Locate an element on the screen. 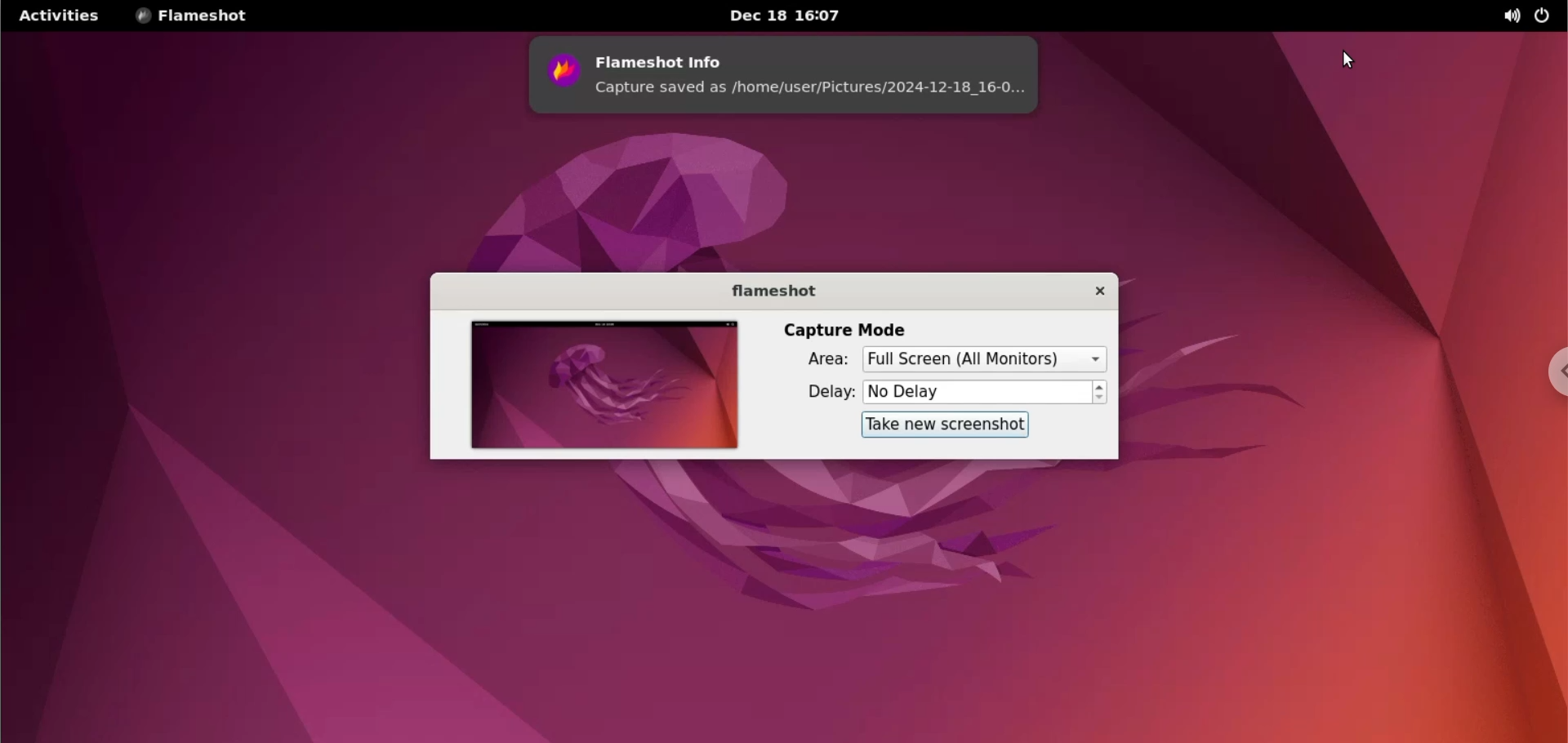  close is located at coordinates (1097, 292).